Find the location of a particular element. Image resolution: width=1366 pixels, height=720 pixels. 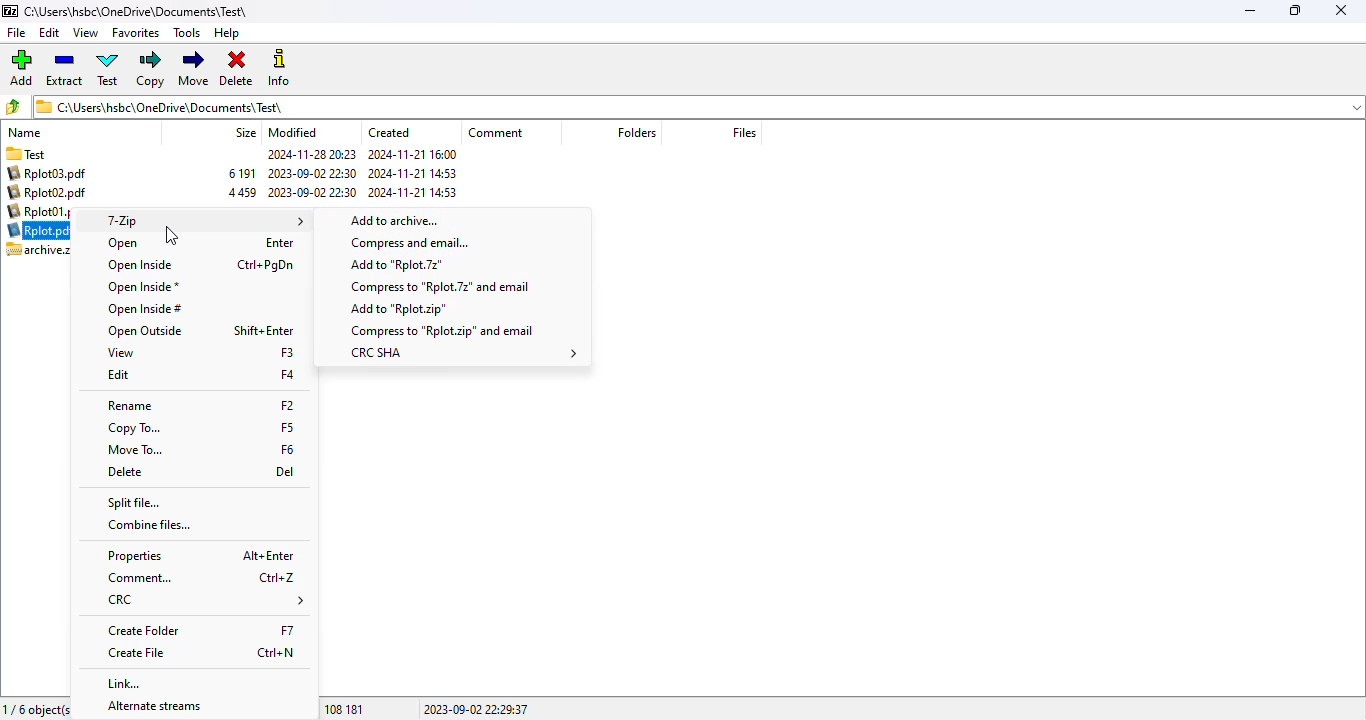

view is located at coordinates (85, 33).